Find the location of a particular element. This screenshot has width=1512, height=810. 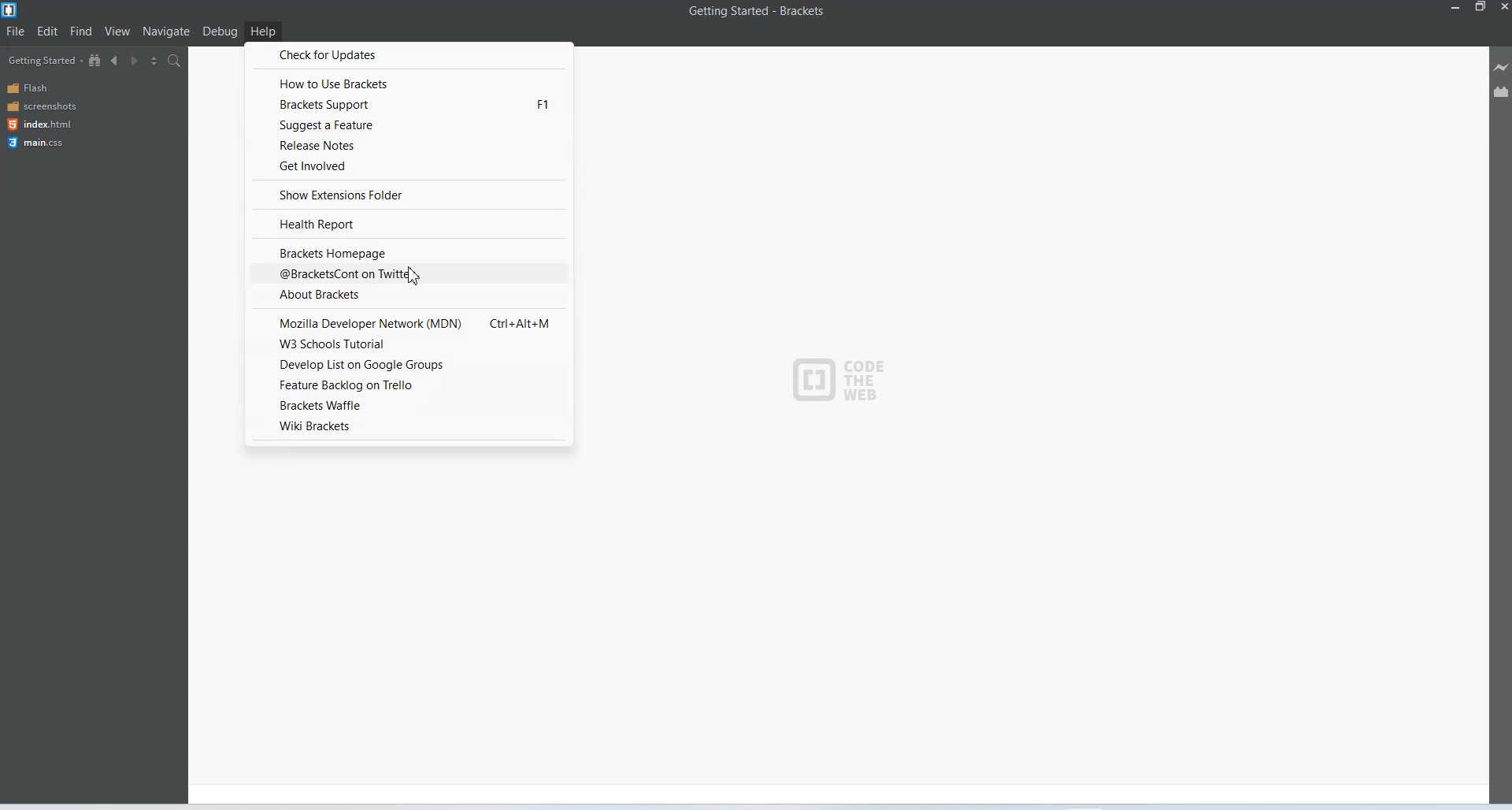

Split editor vertically and horizontally is located at coordinates (155, 61).